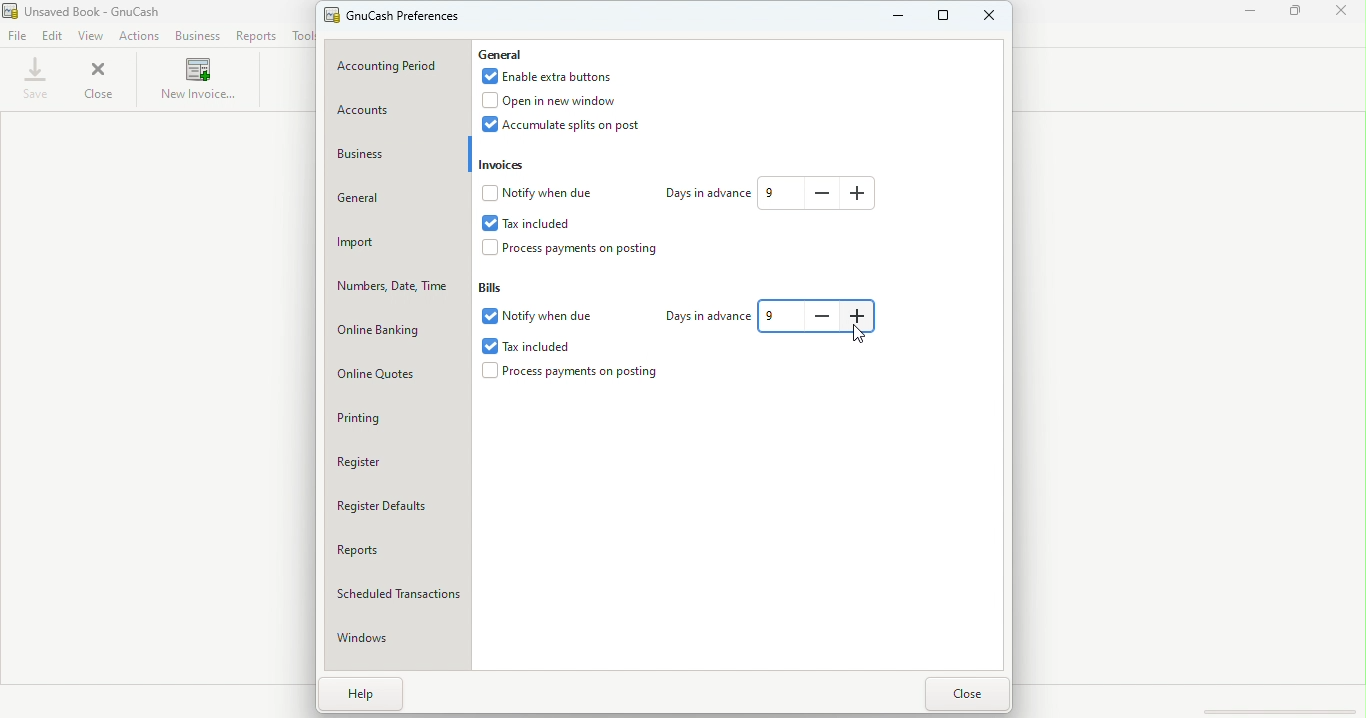 Image resolution: width=1366 pixels, height=718 pixels. Describe the element at coordinates (531, 346) in the screenshot. I see `Tax included` at that location.